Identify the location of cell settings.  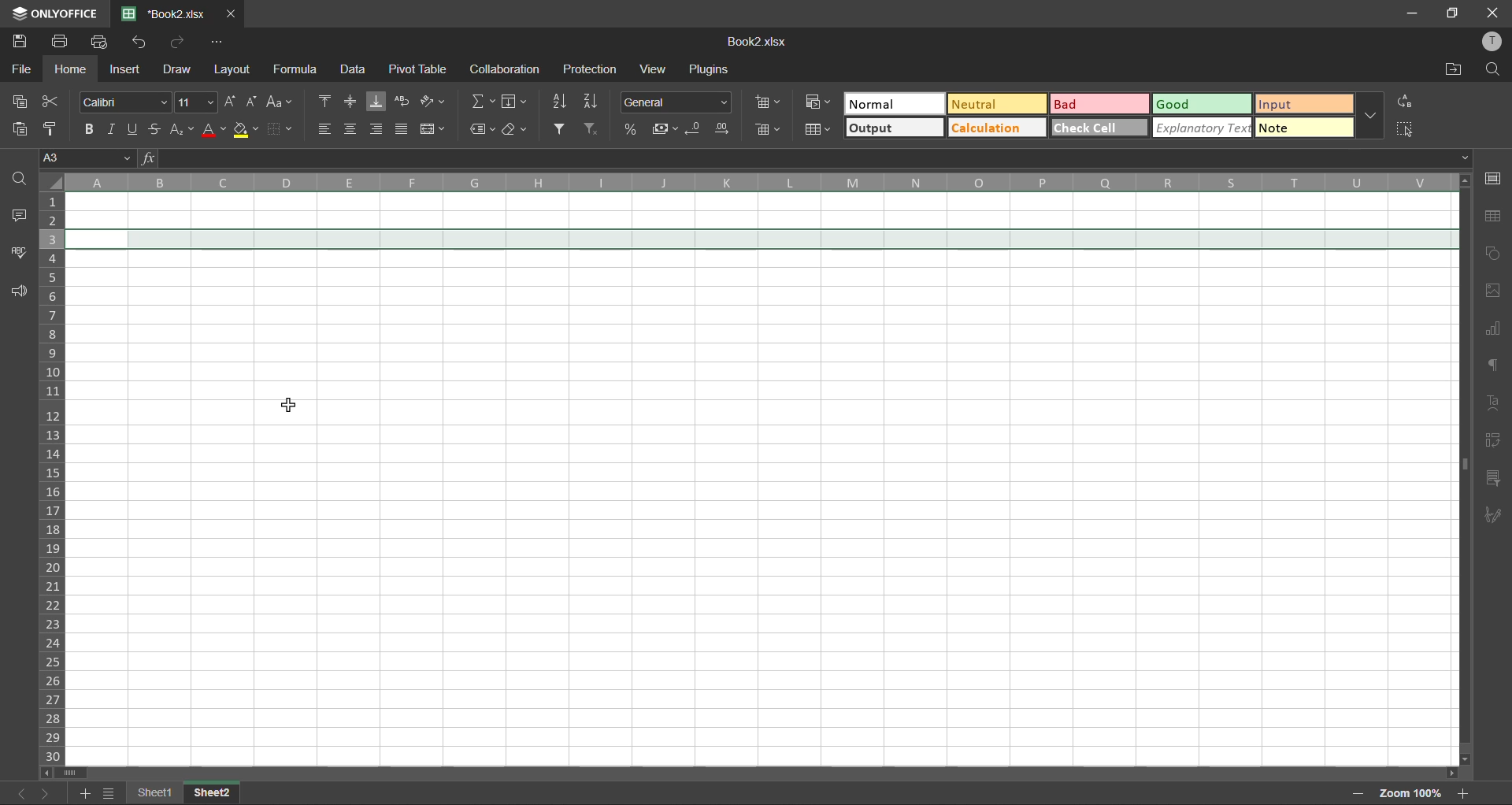
(1497, 178).